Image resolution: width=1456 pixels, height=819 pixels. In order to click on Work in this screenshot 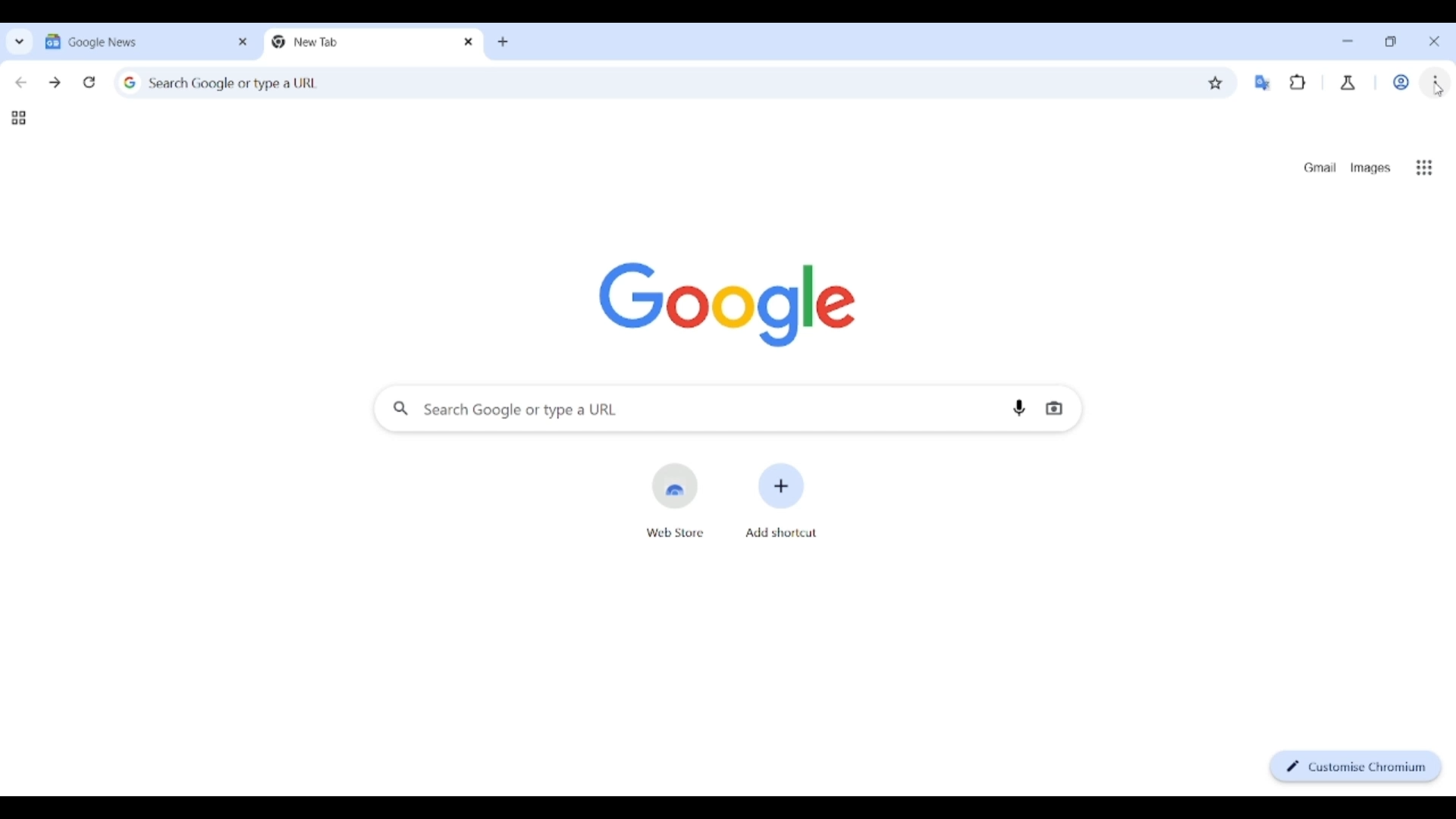, I will do `click(1401, 82)`.